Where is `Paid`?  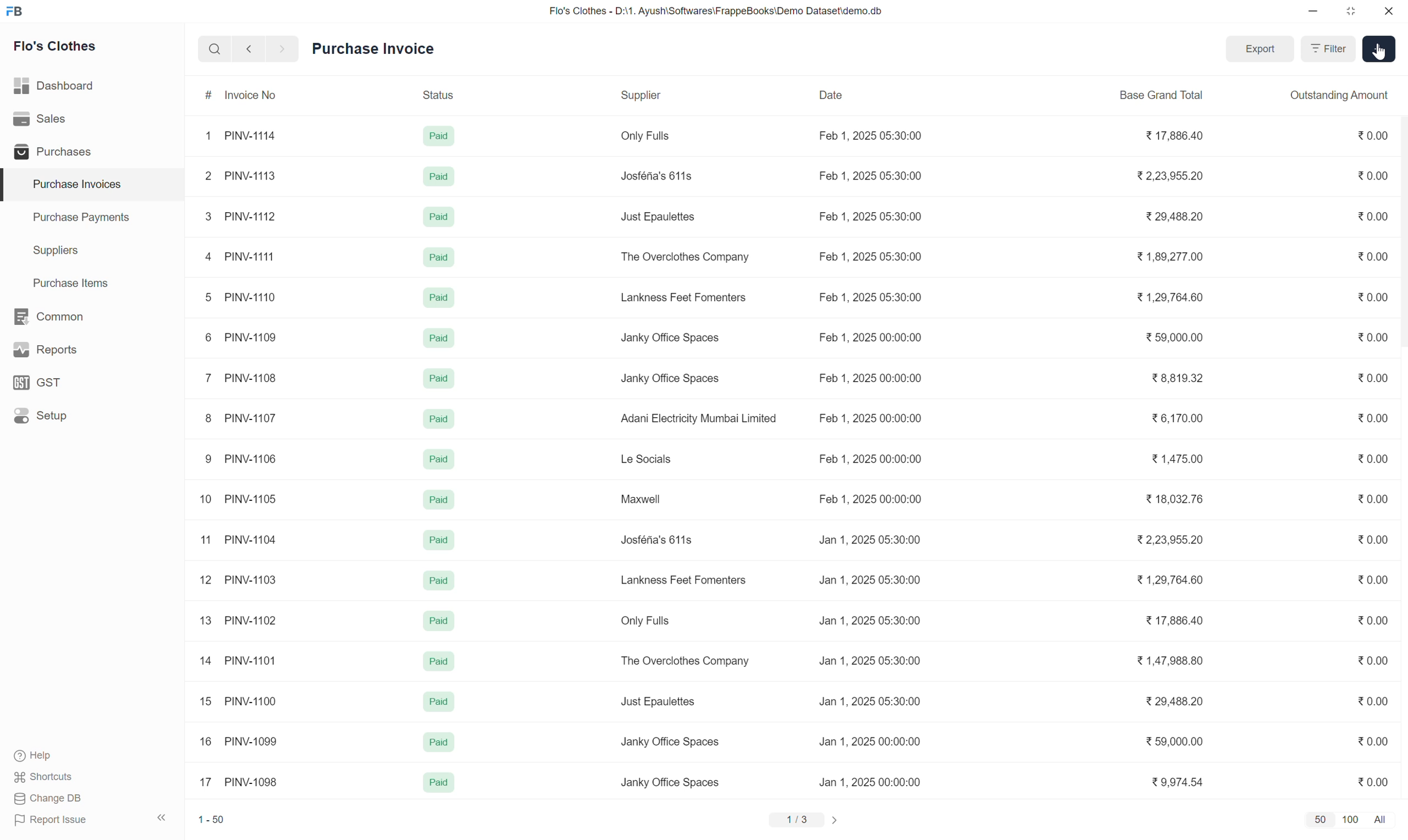
Paid is located at coordinates (439, 136).